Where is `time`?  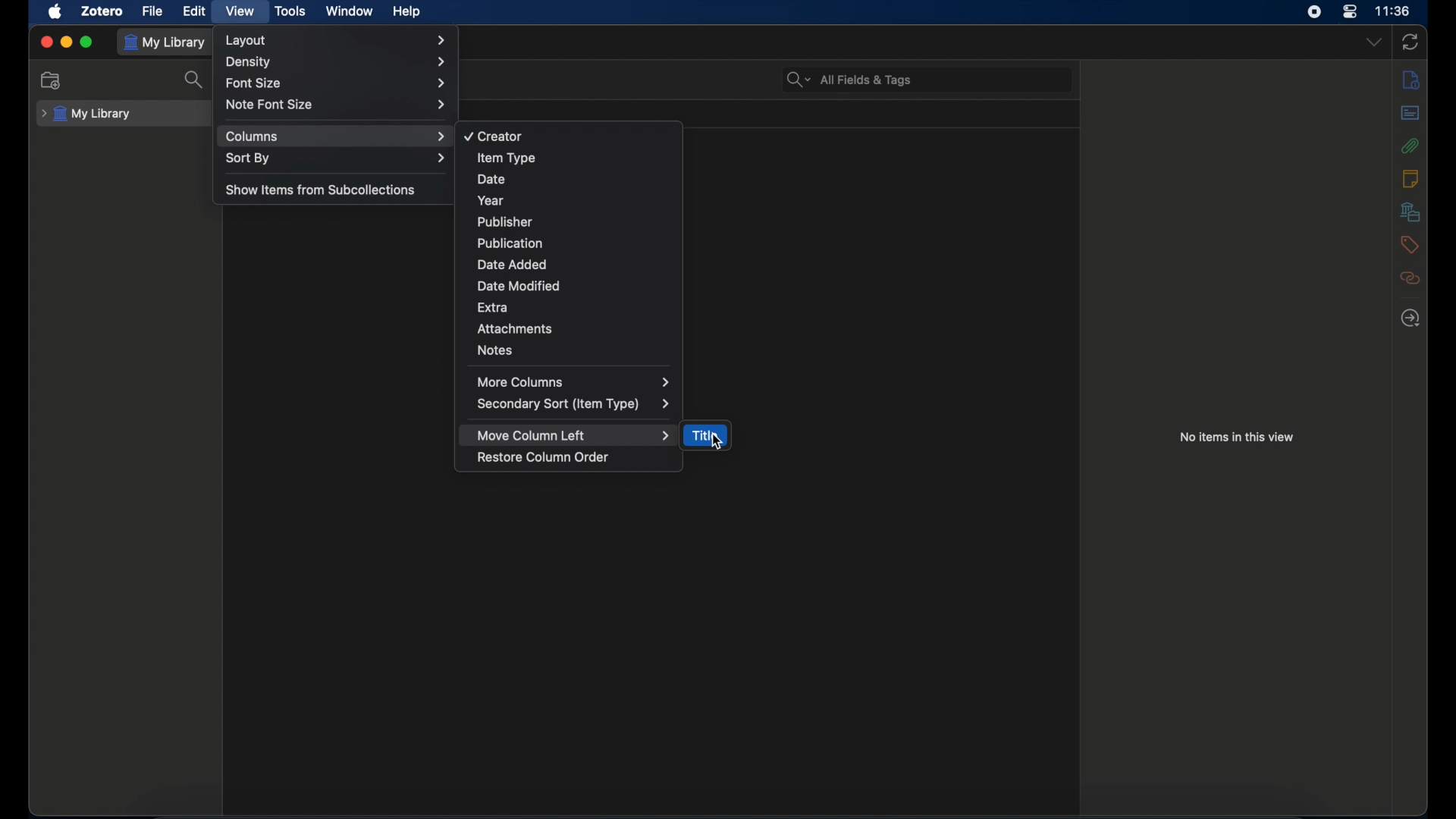
time is located at coordinates (1394, 11).